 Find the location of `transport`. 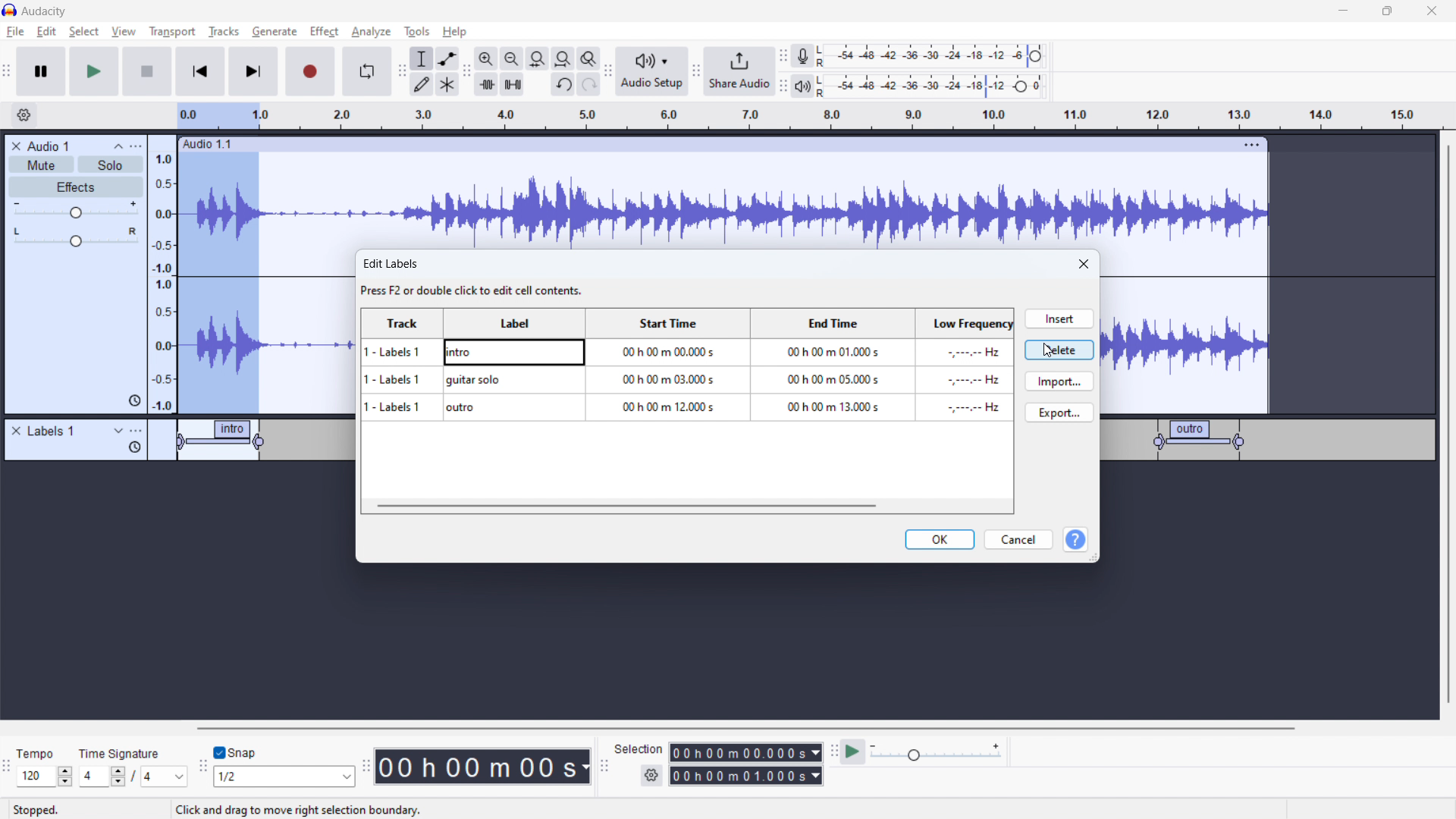

transport is located at coordinates (172, 31).